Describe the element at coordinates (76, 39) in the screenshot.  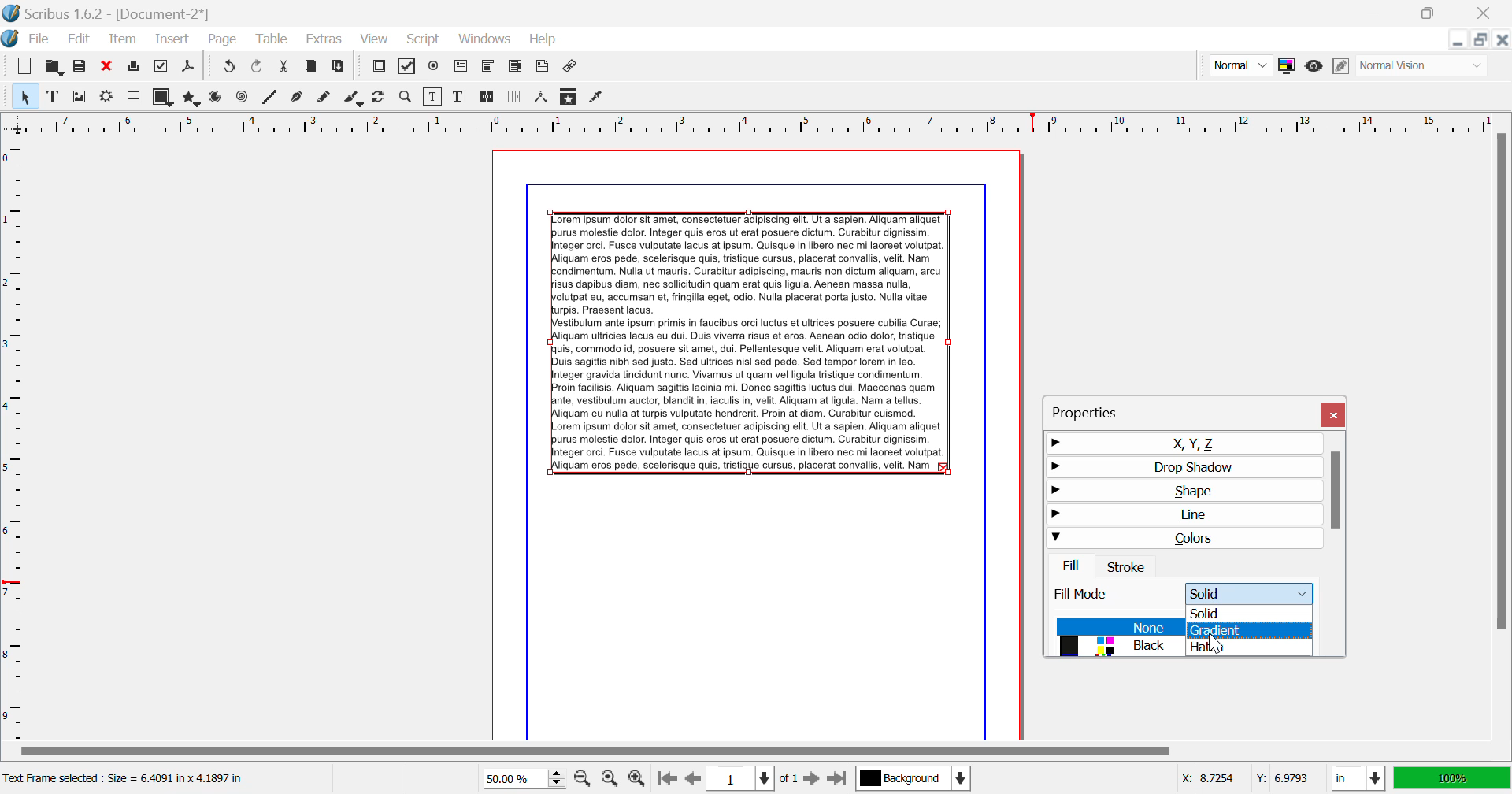
I see `Edit` at that location.